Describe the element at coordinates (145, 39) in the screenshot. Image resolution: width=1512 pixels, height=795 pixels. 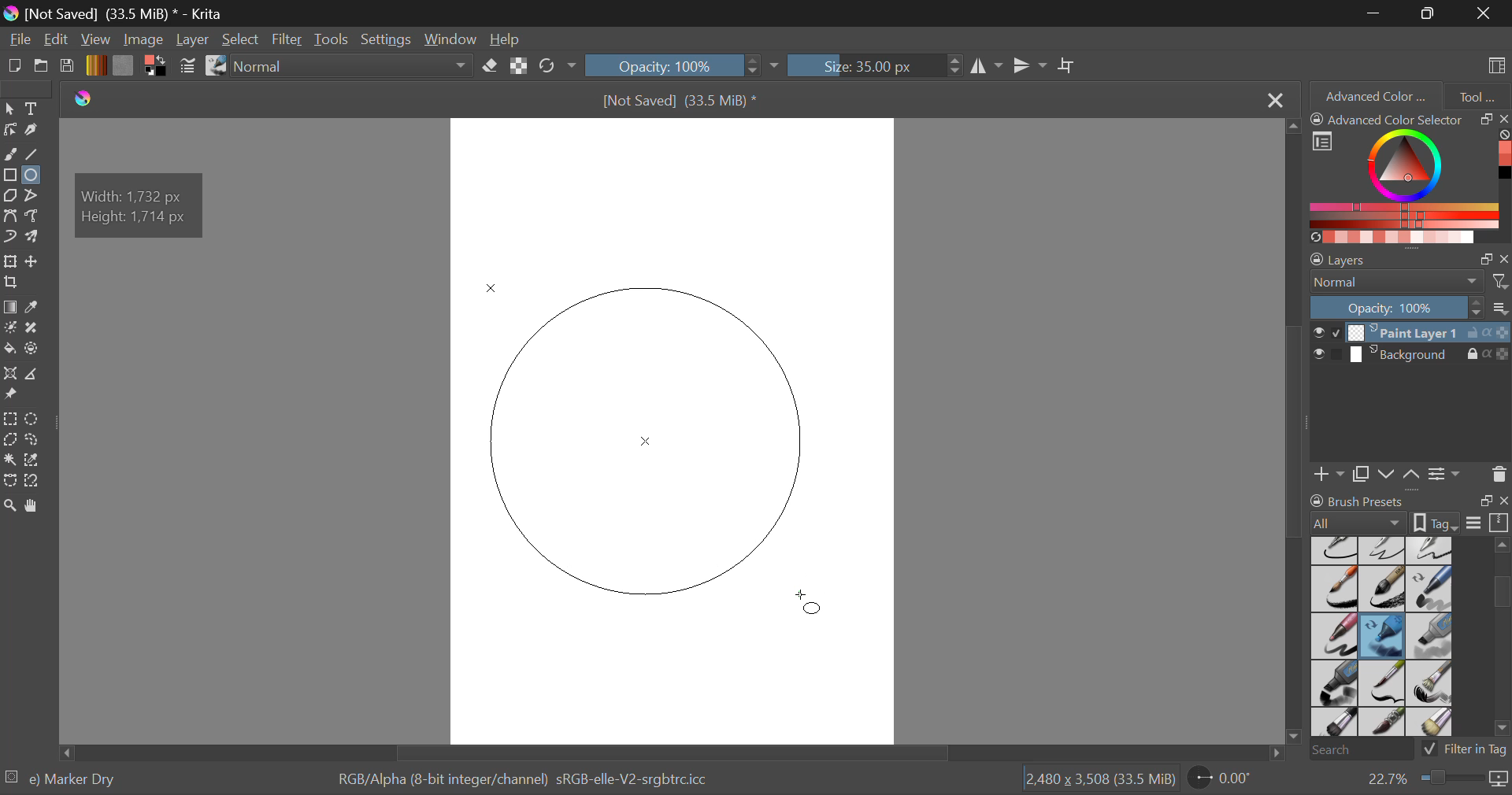
I see `Image` at that location.